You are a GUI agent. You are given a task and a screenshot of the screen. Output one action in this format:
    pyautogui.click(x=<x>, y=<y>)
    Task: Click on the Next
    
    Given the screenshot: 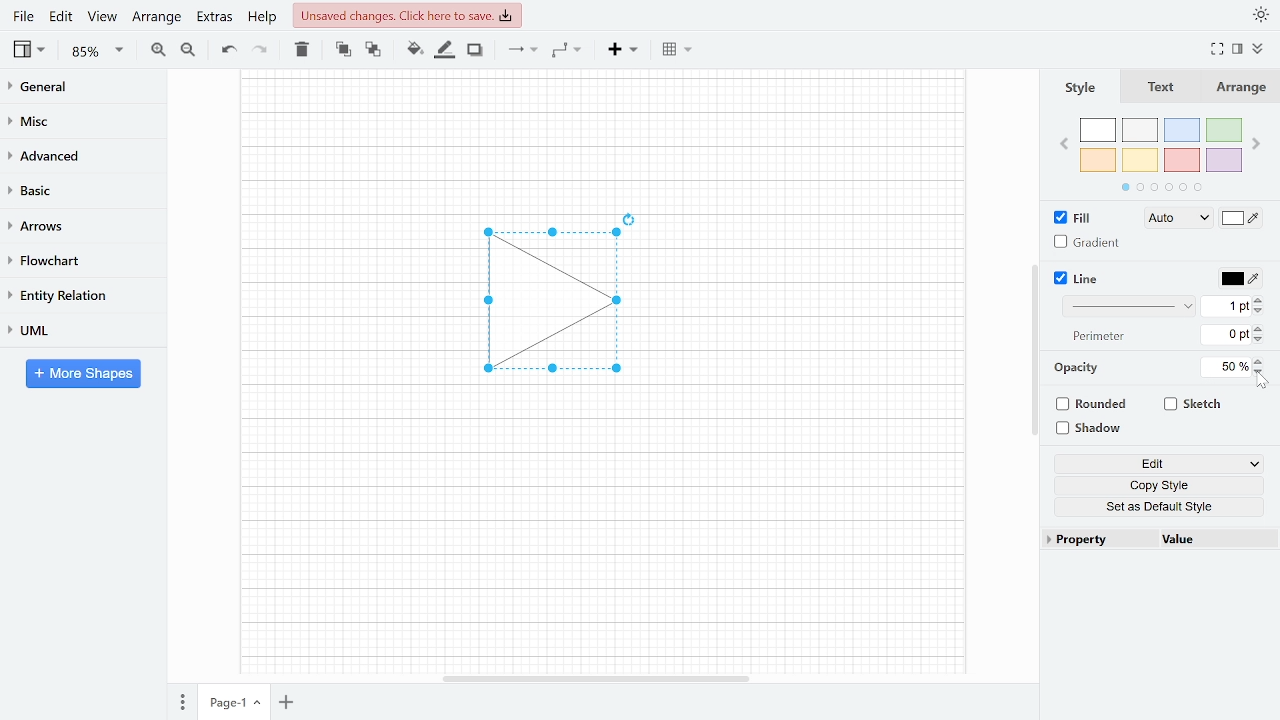 What is the action you would take?
    pyautogui.click(x=1258, y=140)
    